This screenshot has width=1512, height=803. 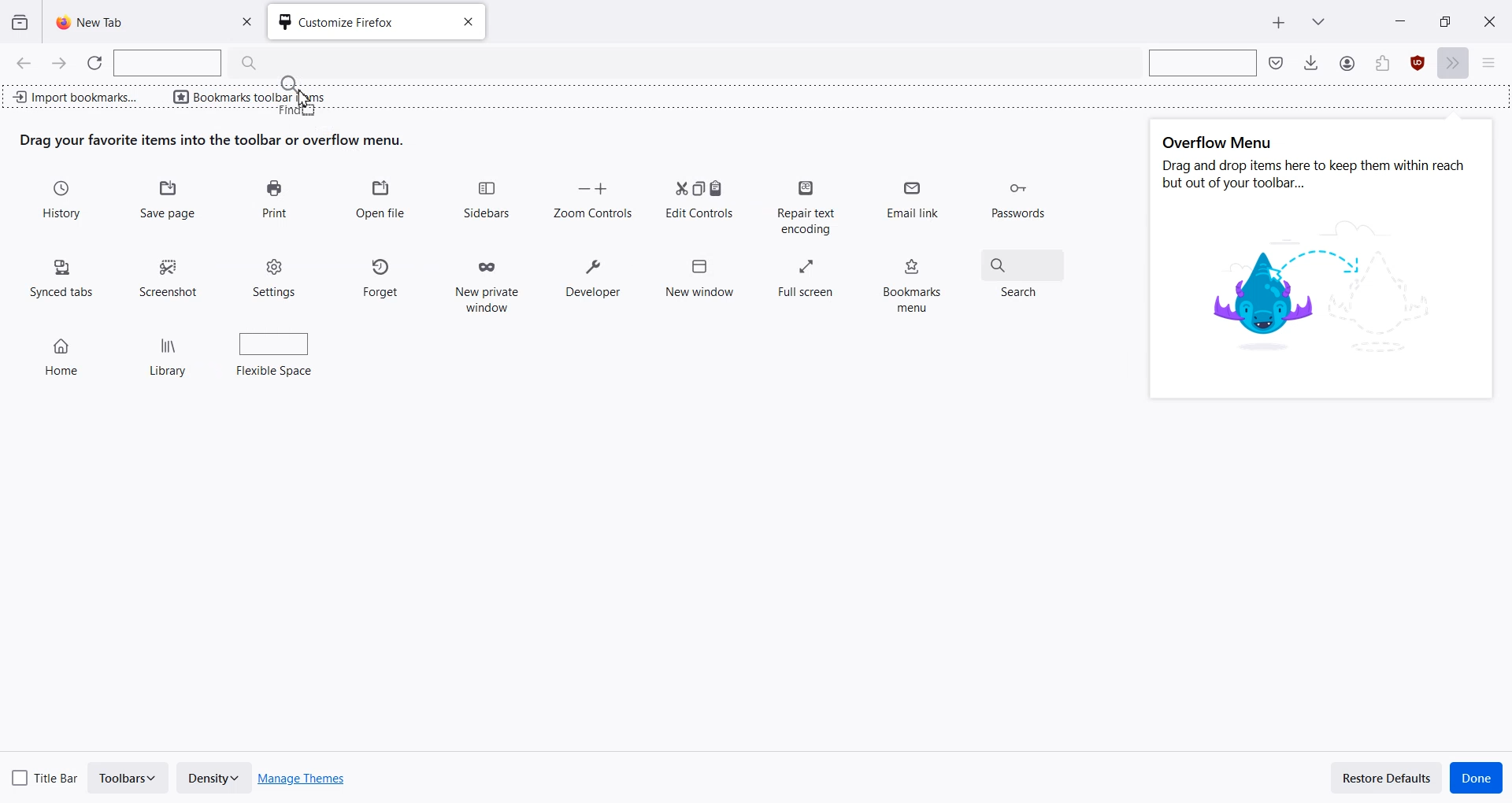 I want to click on Open file, so click(x=380, y=200).